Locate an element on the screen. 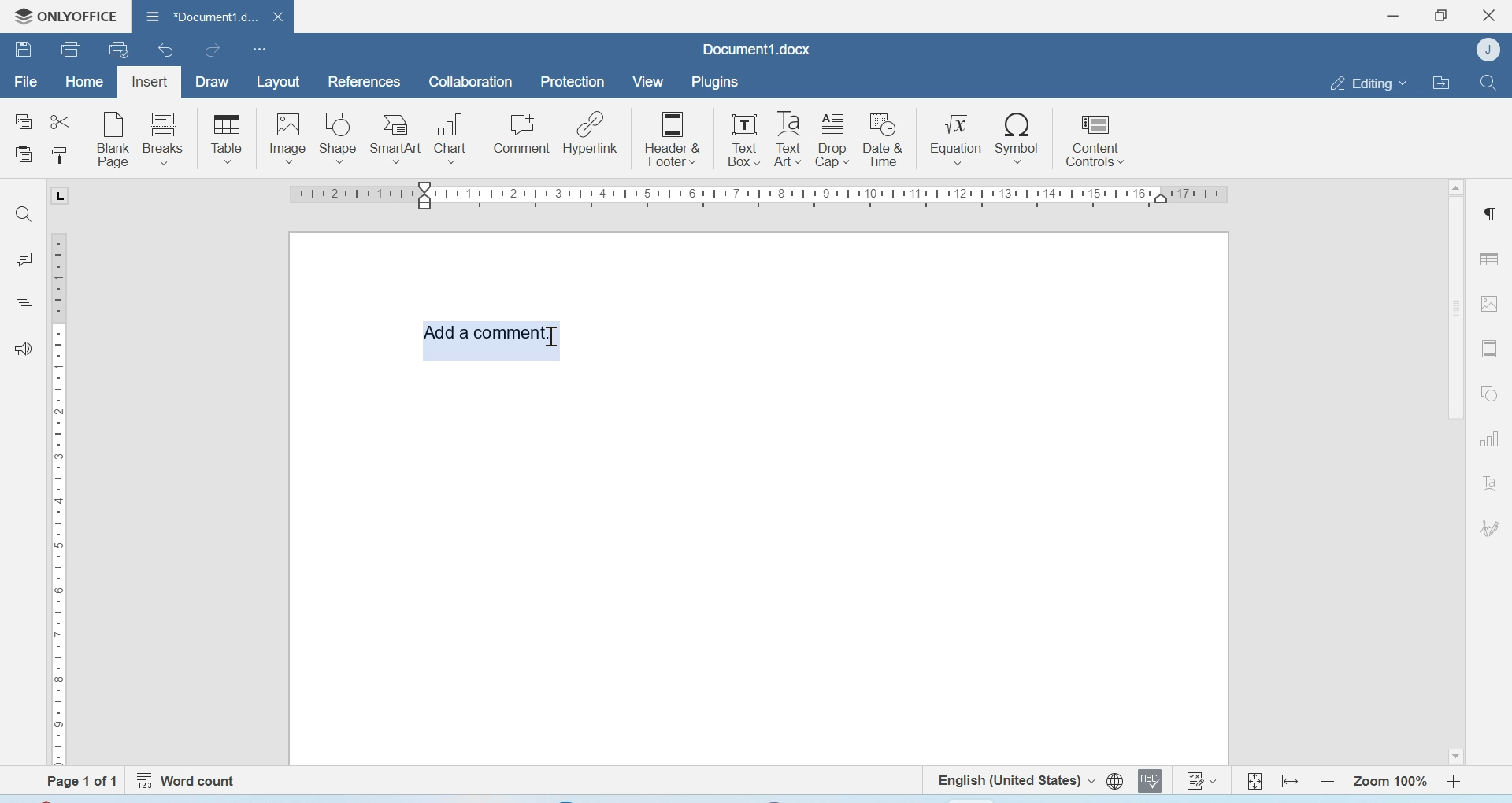 The height and width of the screenshot is (803, 1512). Draw is located at coordinates (213, 83).